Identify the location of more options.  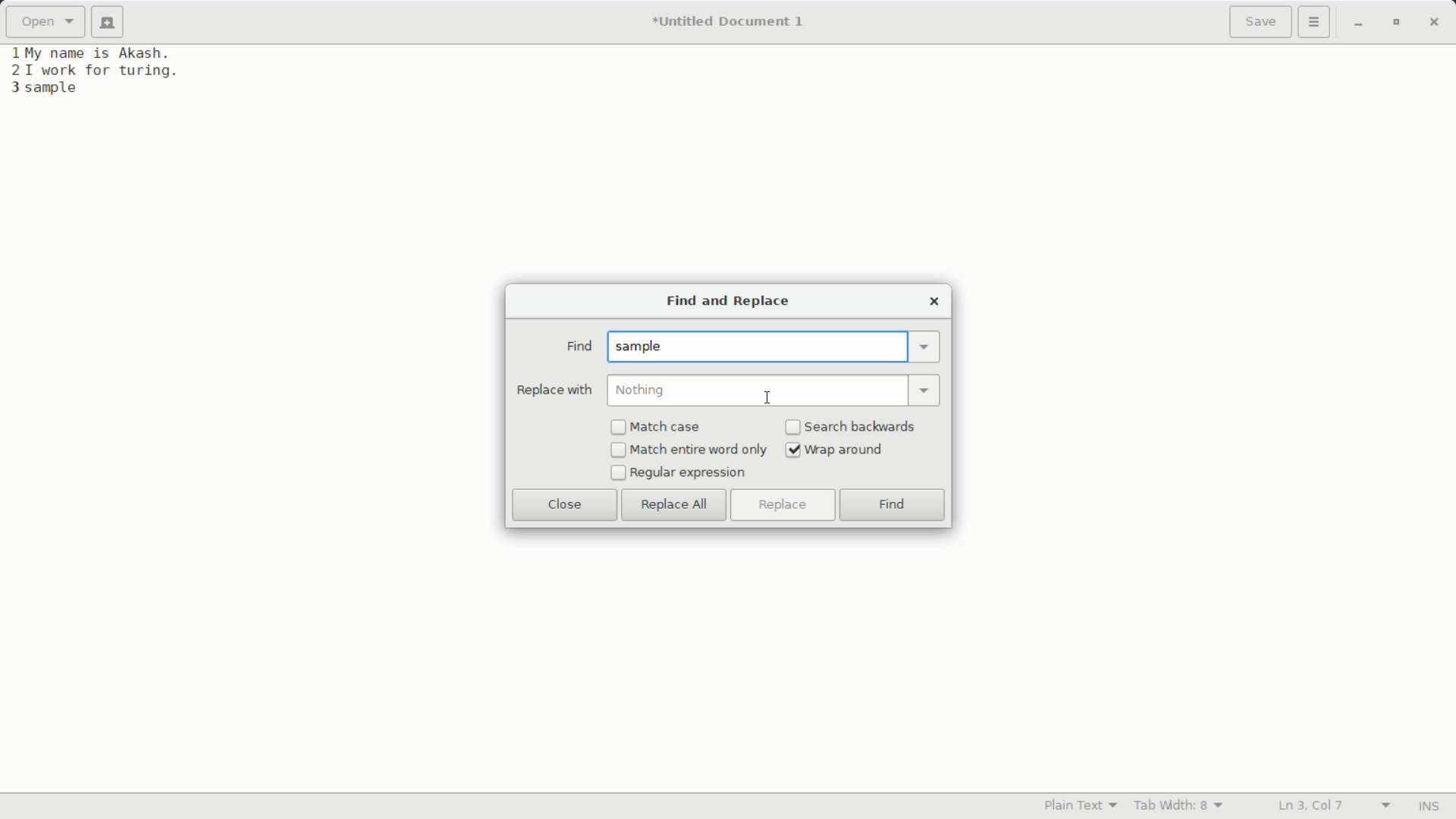
(1316, 22).